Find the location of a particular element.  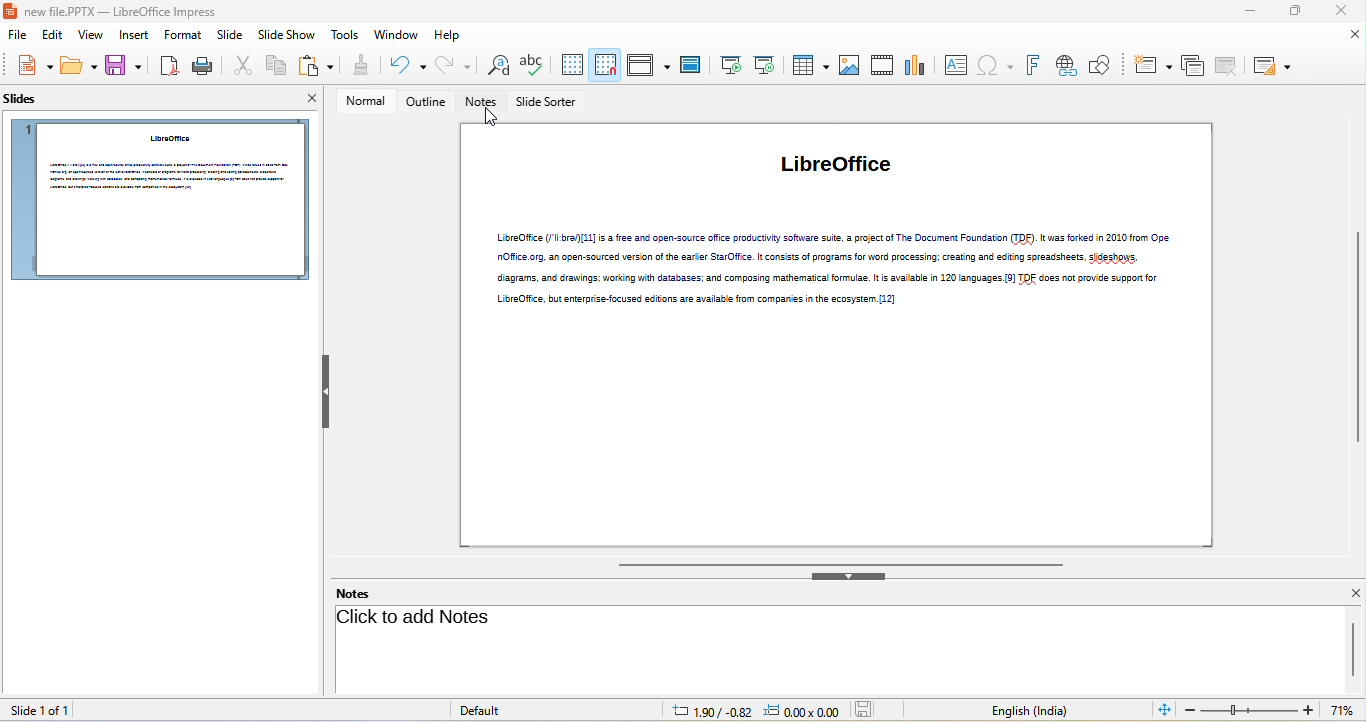

table is located at coordinates (808, 64).